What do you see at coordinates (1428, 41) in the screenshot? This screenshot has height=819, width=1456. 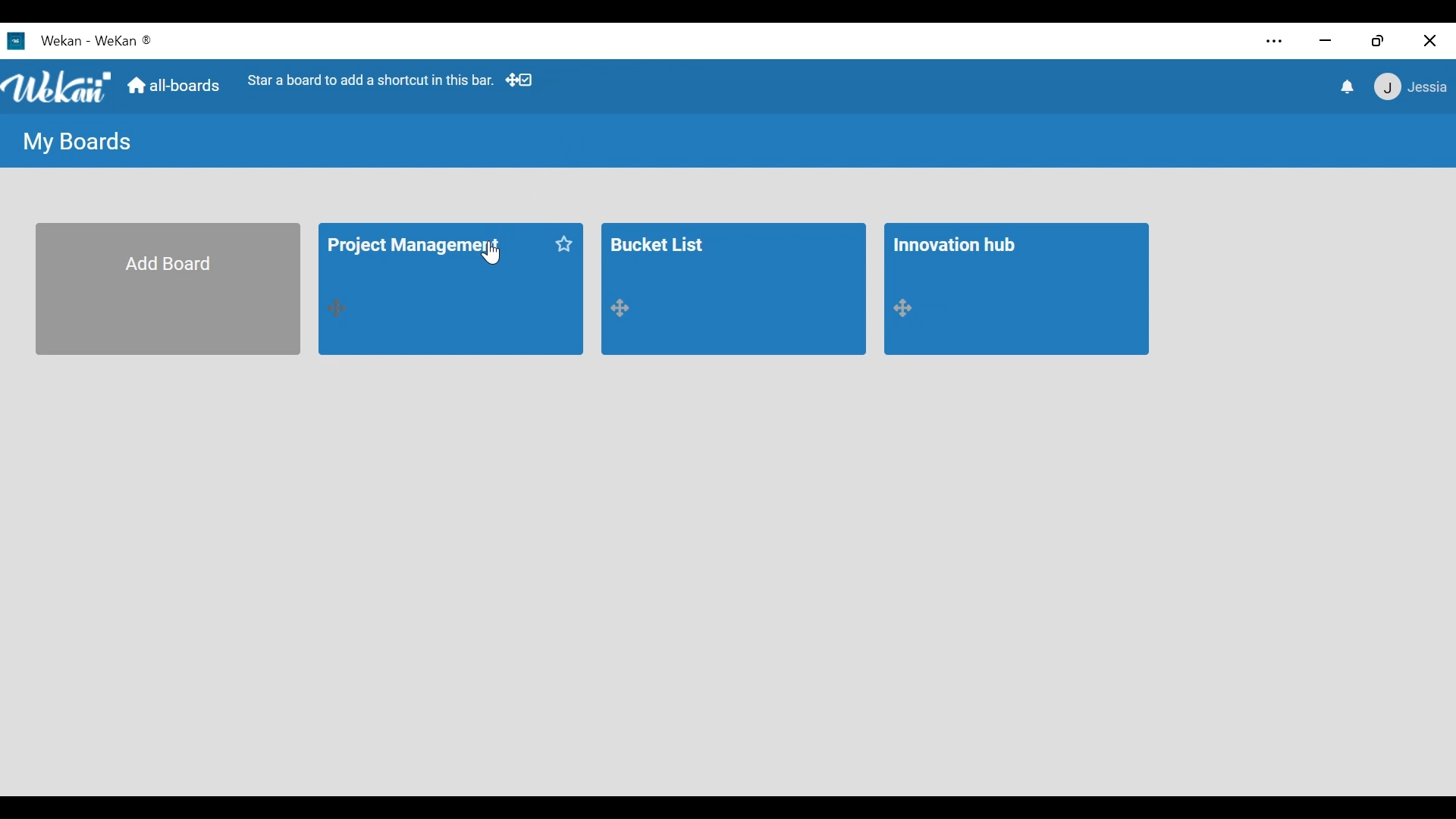 I see `Close` at bounding box center [1428, 41].